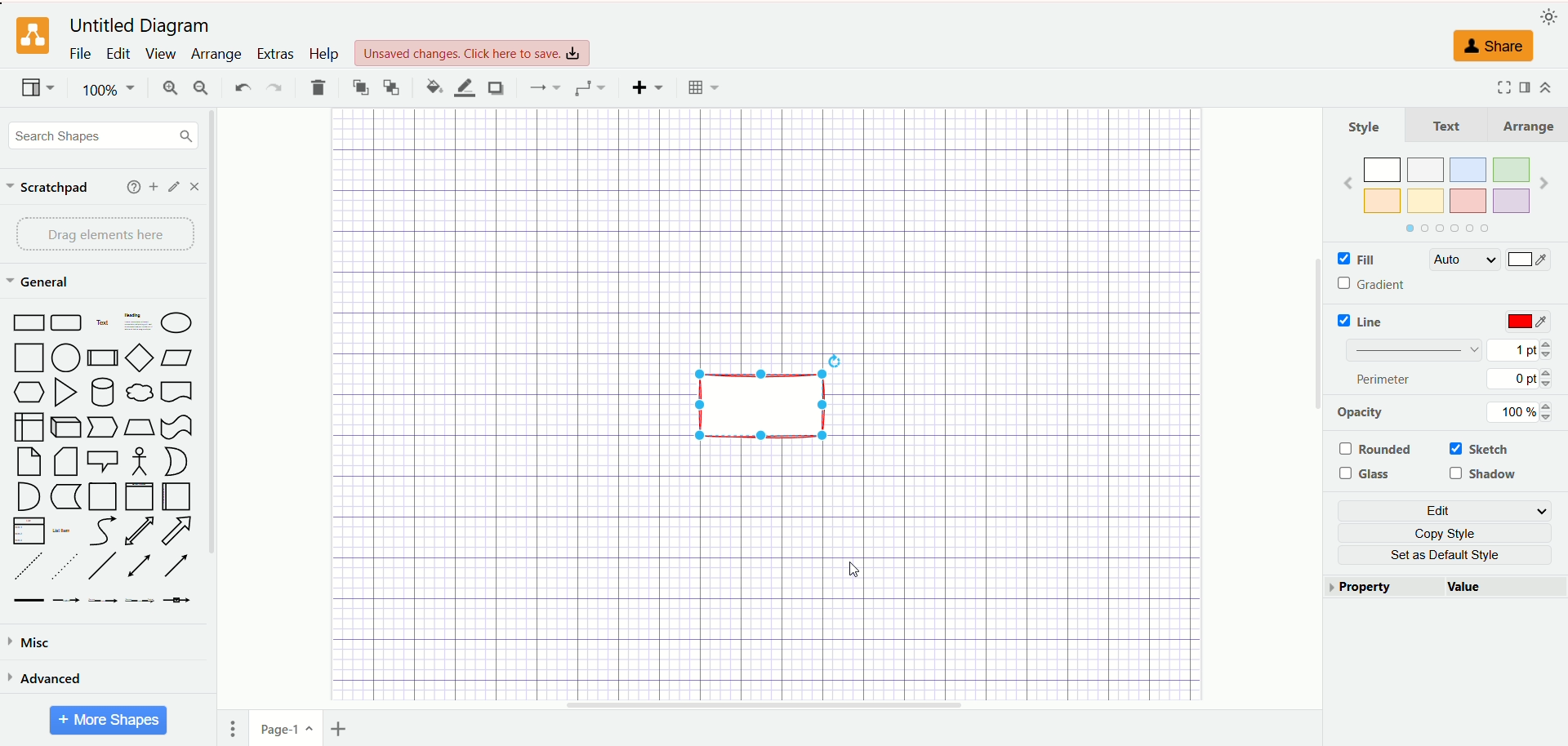  What do you see at coordinates (1532, 127) in the screenshot?
I see `arrange` at bounding box center [1532, 127].